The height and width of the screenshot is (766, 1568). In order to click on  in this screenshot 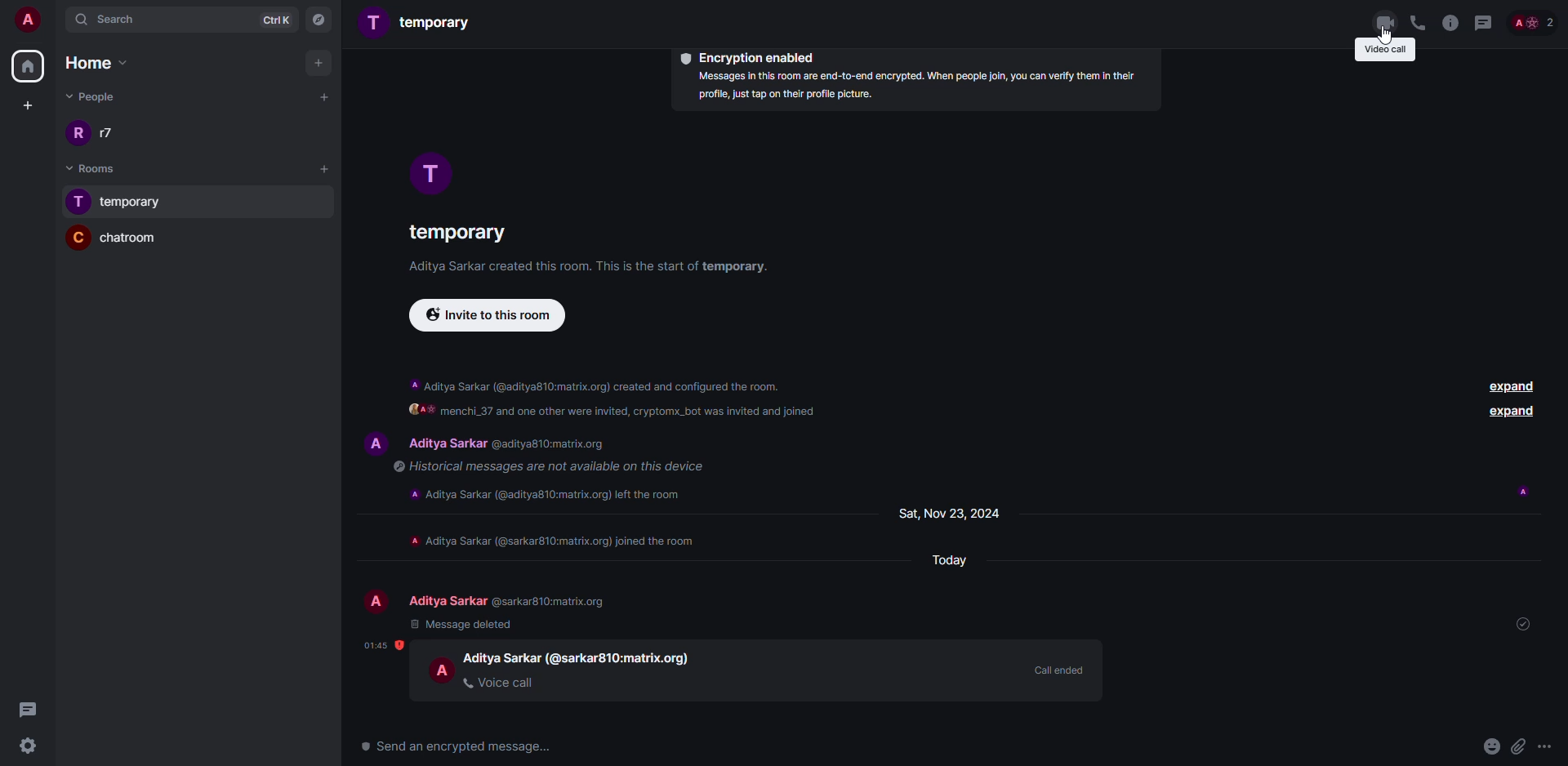, I will do `click(548, 495)`.